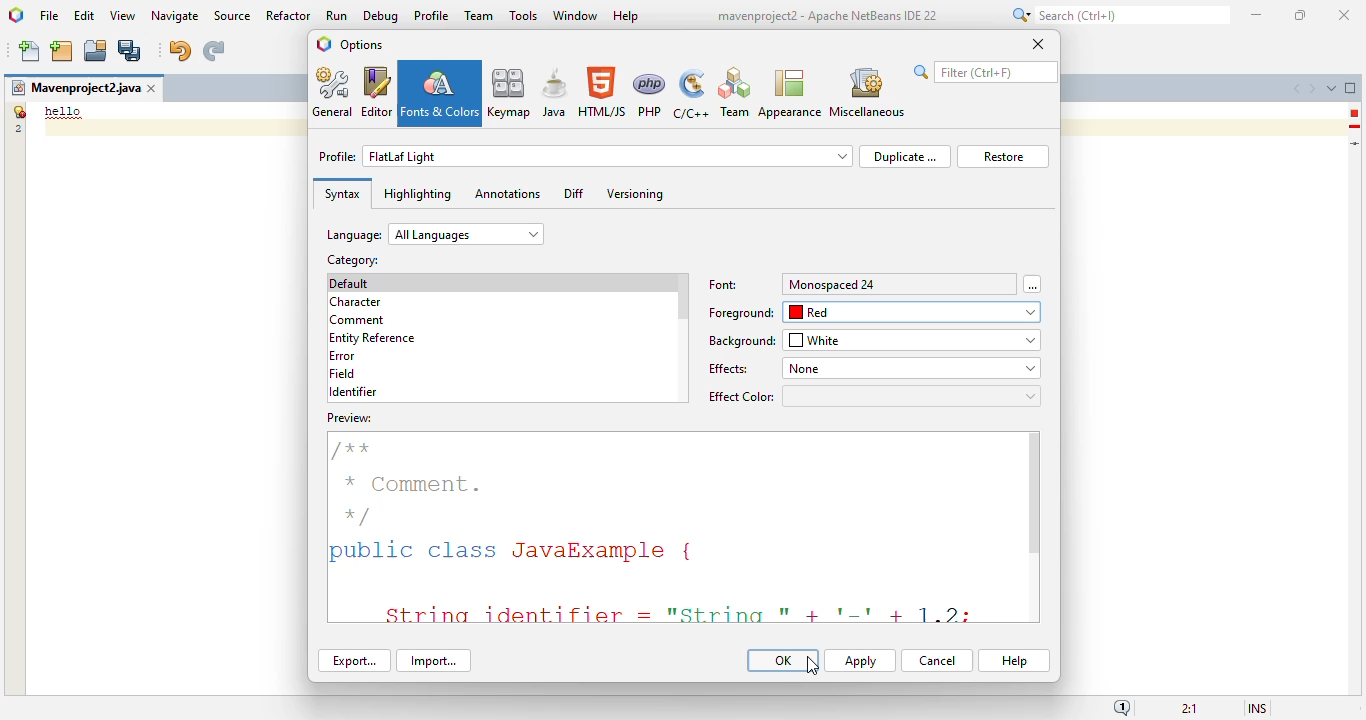 The image size is (1366, 720). What do you see at coordinates (690, 94) in the screenshot?
I see `C/C++` at bounding box center [690, 94].